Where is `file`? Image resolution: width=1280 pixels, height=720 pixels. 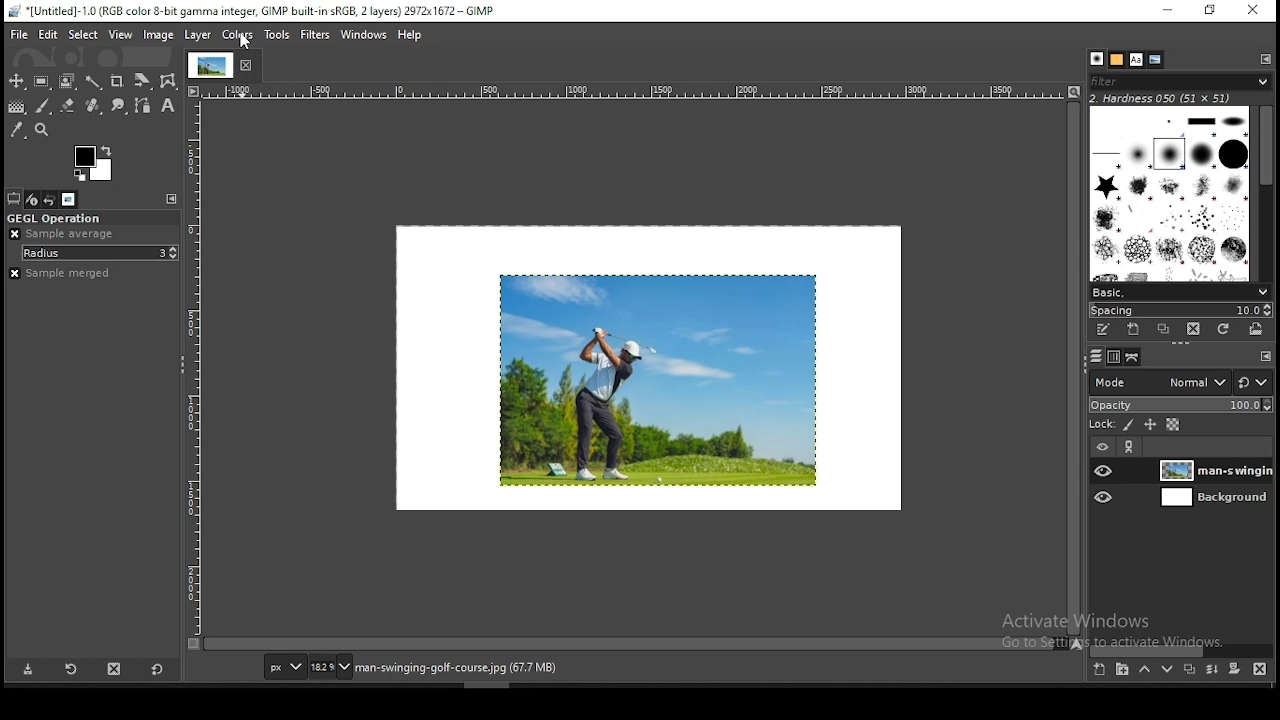
file is located at coordinates (20, 33).